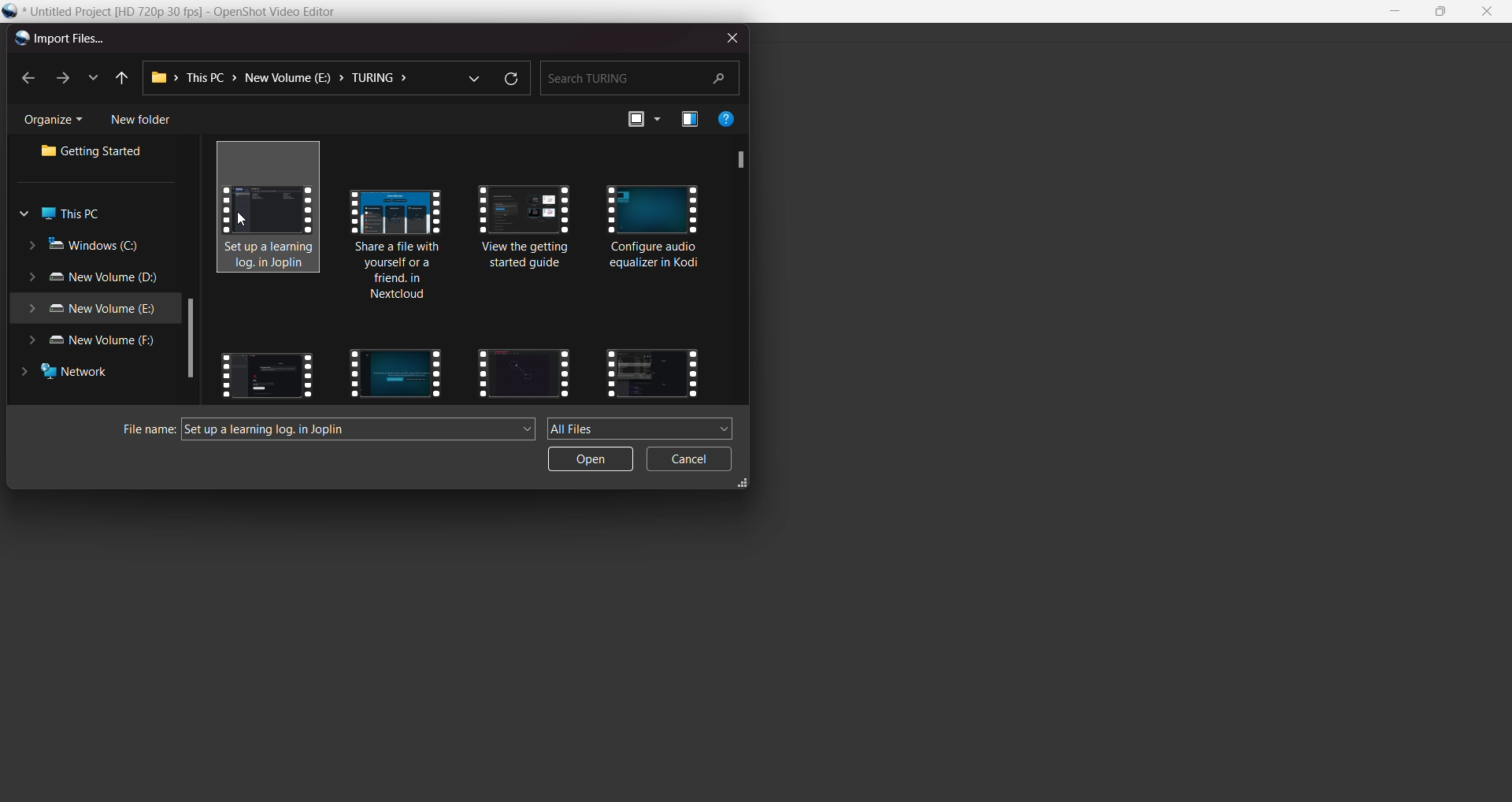  What do you see at coordinates (591, 459) in the screenshot?
I see `open` at bounding box center [591, 459].